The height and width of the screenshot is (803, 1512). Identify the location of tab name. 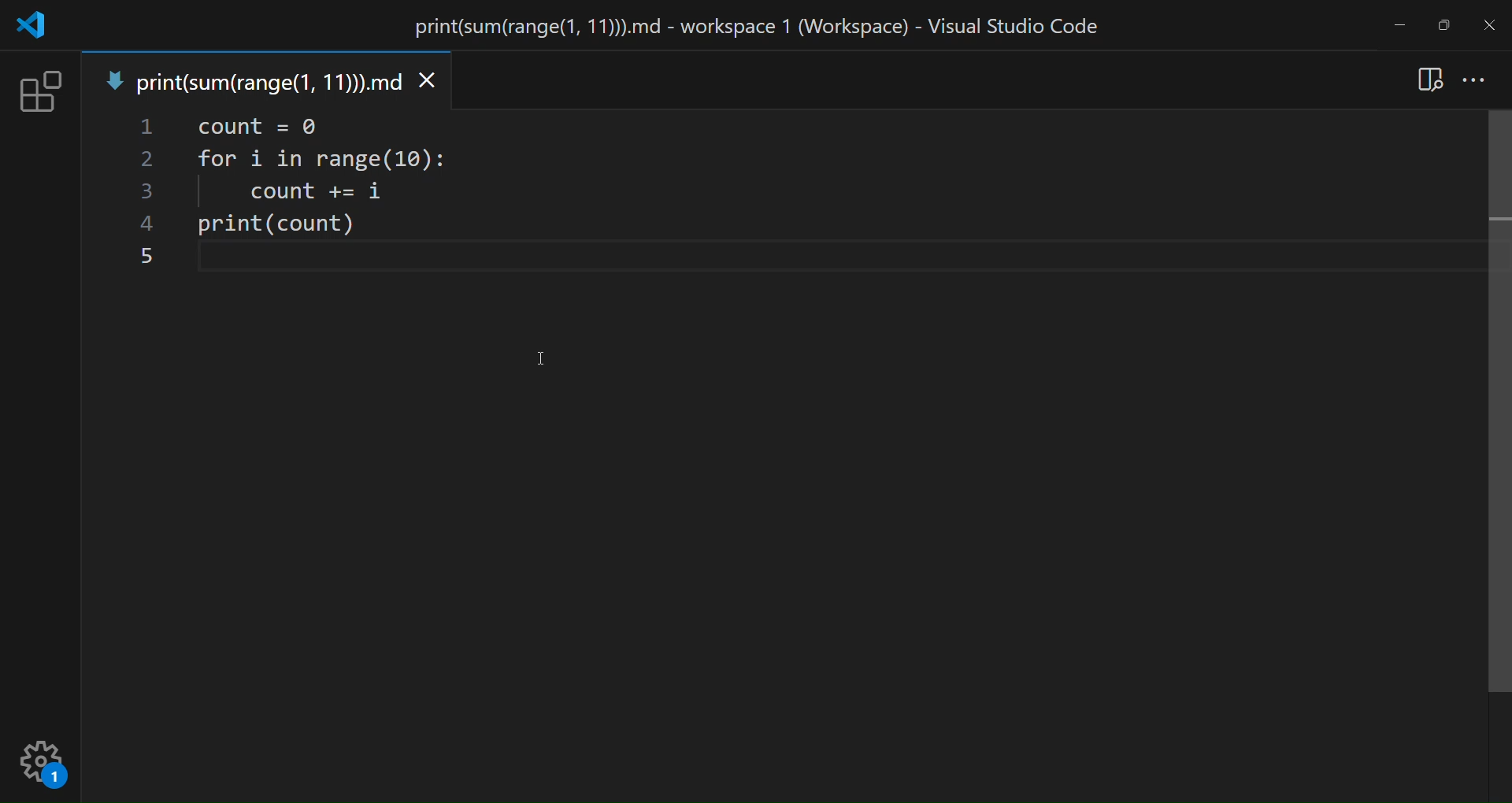
(248, 79).